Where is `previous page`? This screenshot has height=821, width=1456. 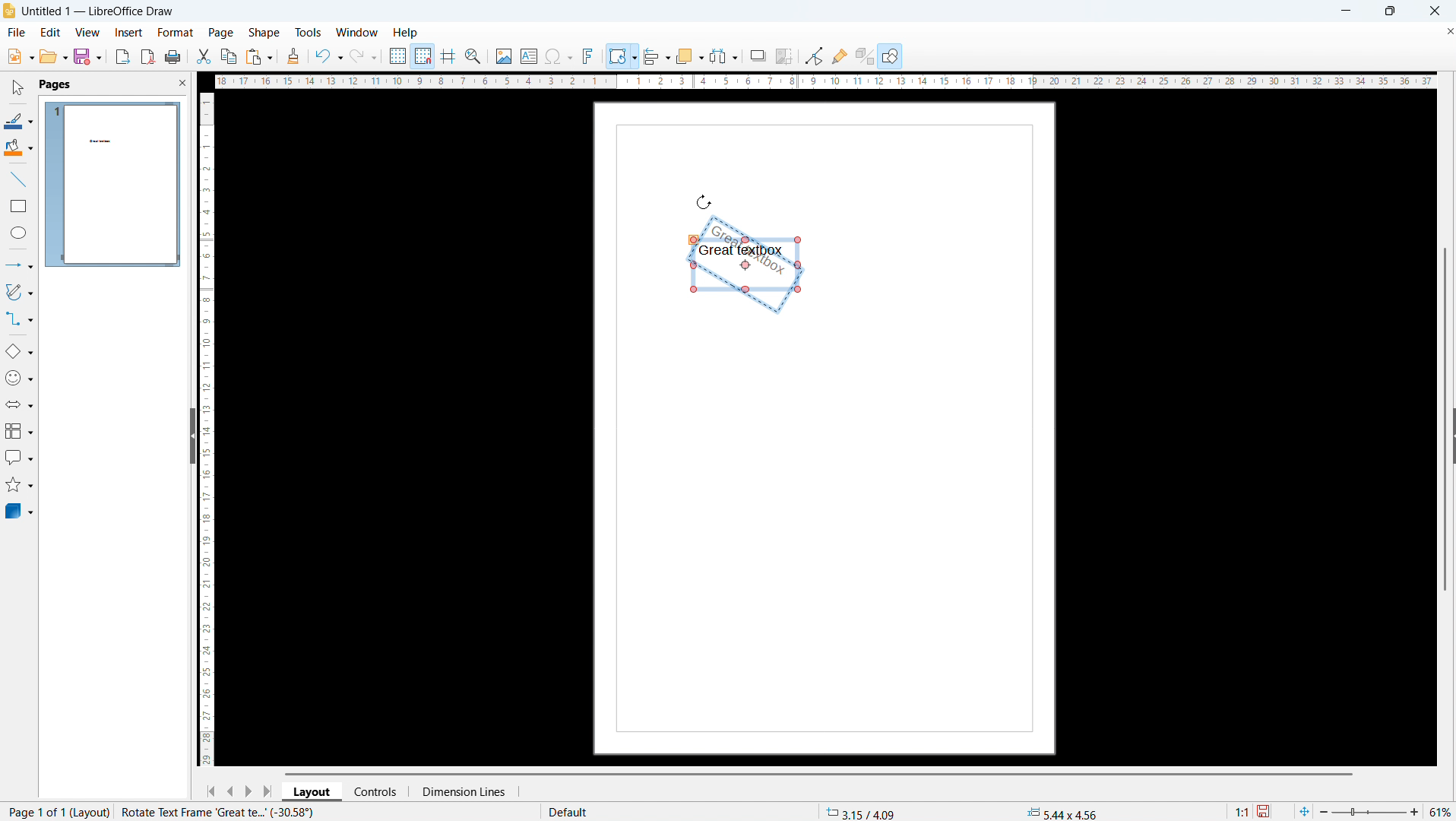
previous page is located at coordinates (230, 791).